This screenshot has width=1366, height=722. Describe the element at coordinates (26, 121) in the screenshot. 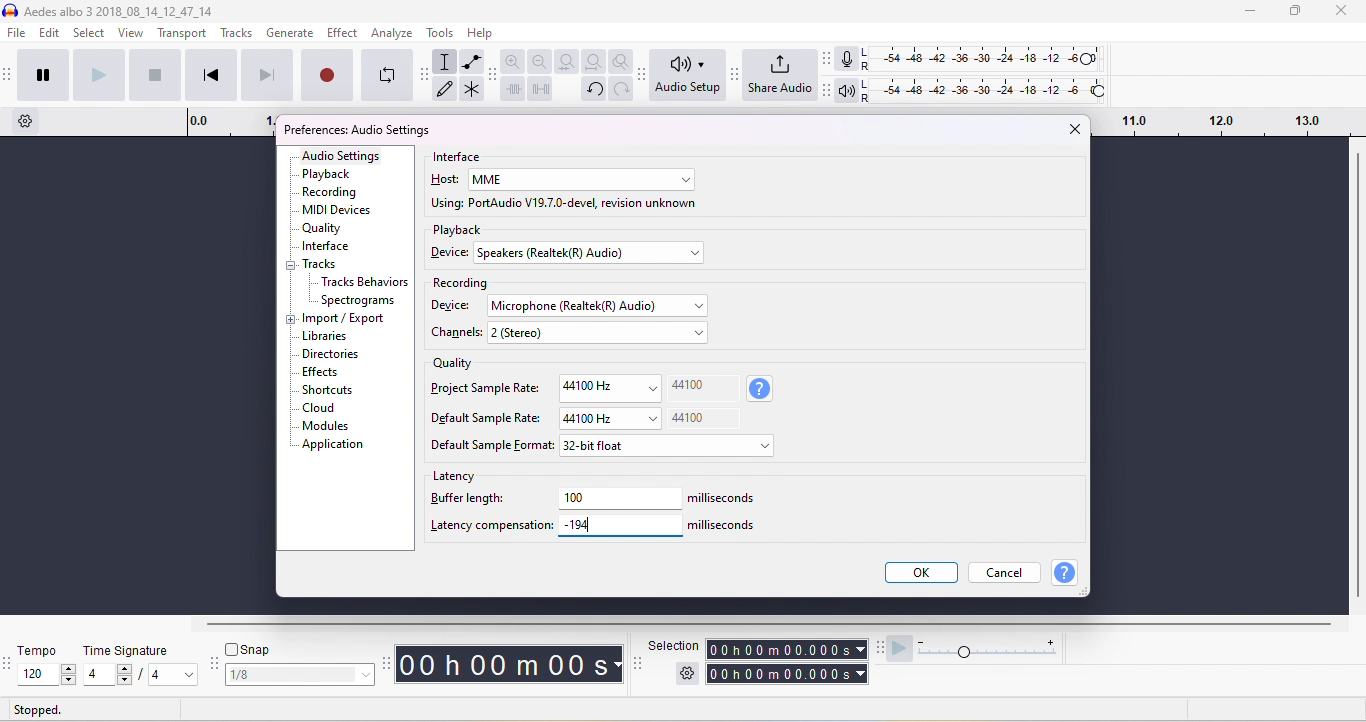

I see `timeline options` at that location.